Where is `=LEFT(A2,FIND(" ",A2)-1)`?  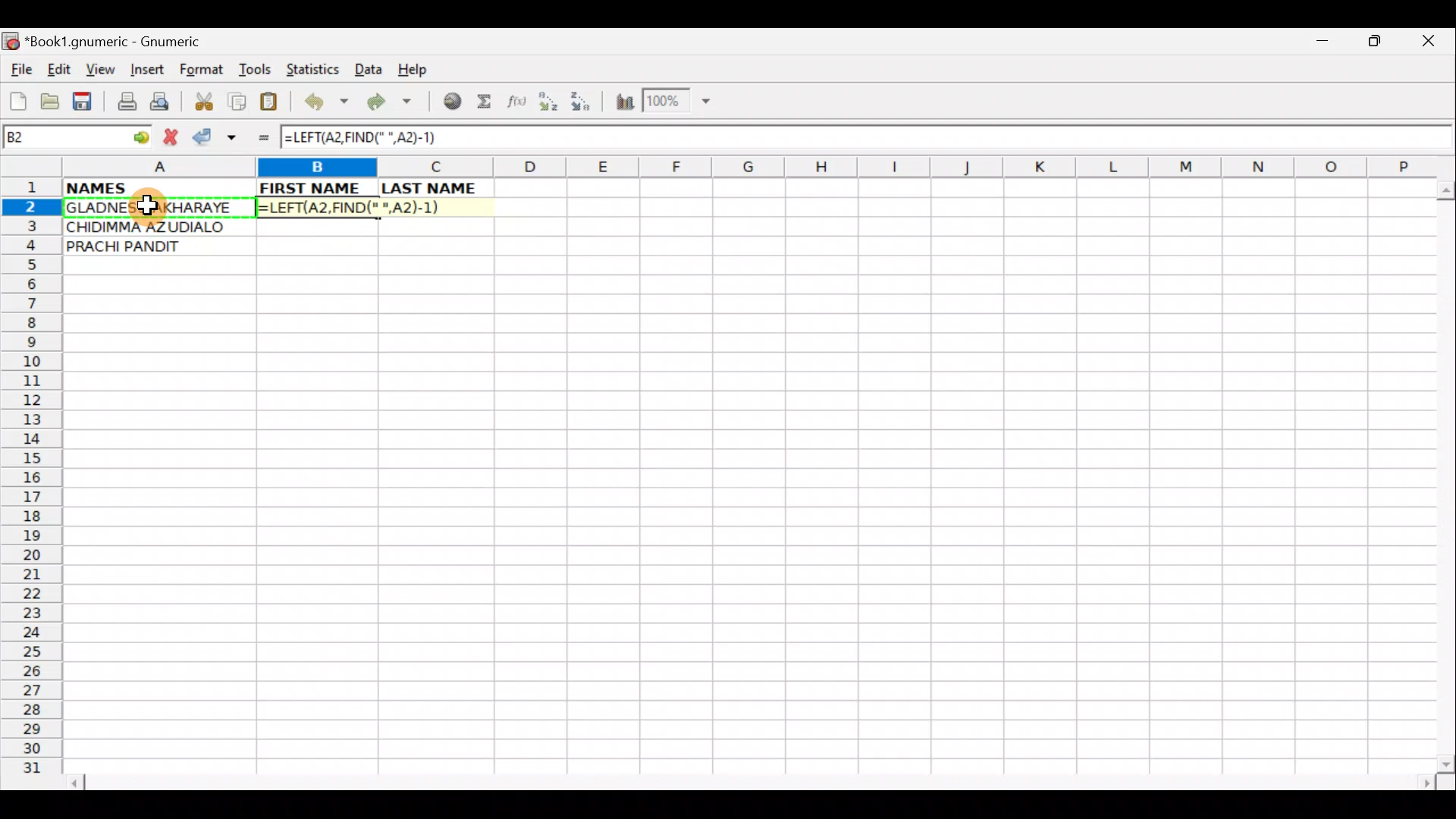 =LEFT(A2,FIND(" ",A2)-1) is located at coordinates (347, 209).